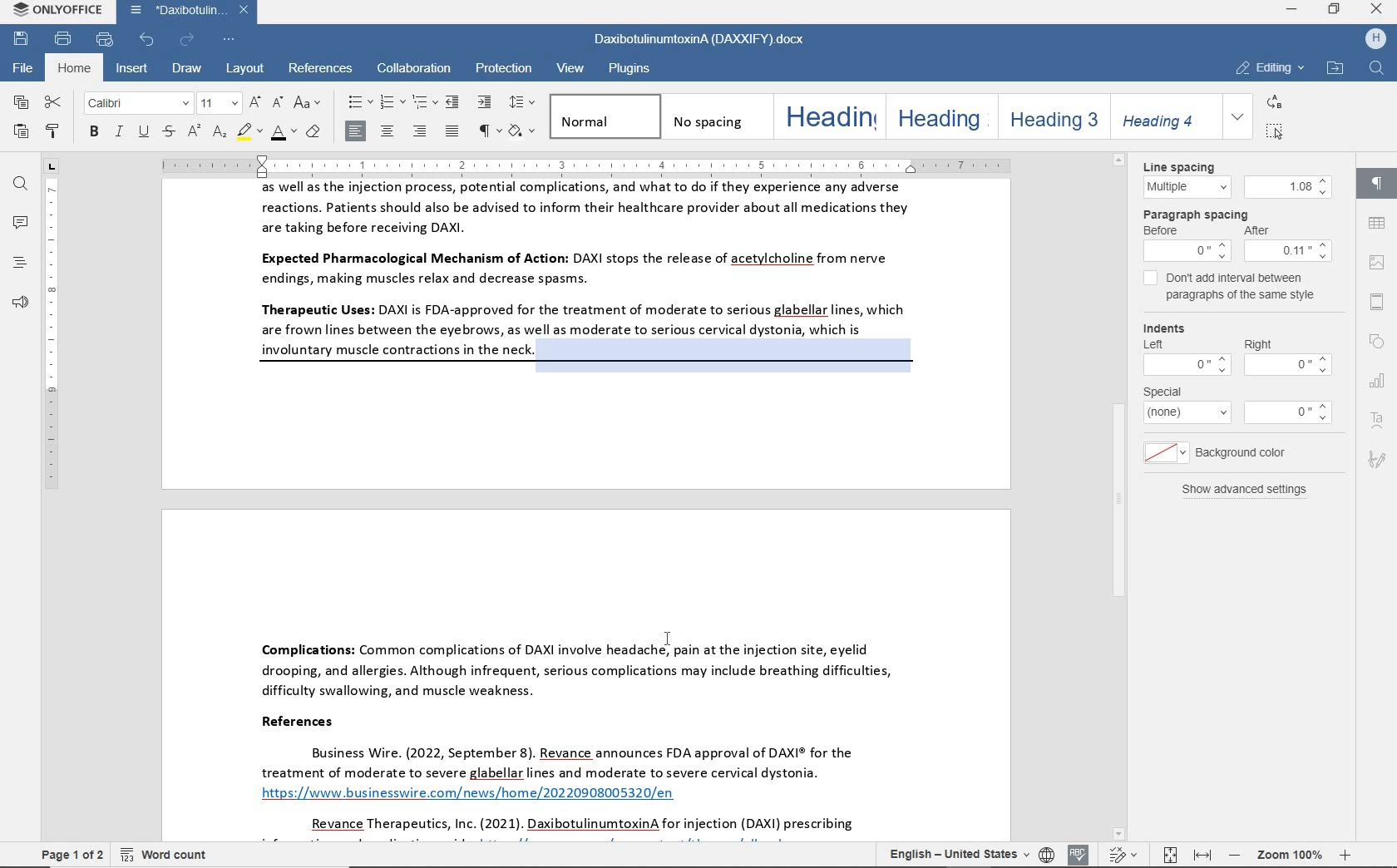 The height and width of the screenshot is (868, 1397). Describe the element at coordinates (1376, 302) in the screenshot. I see `header & footer` at that location.